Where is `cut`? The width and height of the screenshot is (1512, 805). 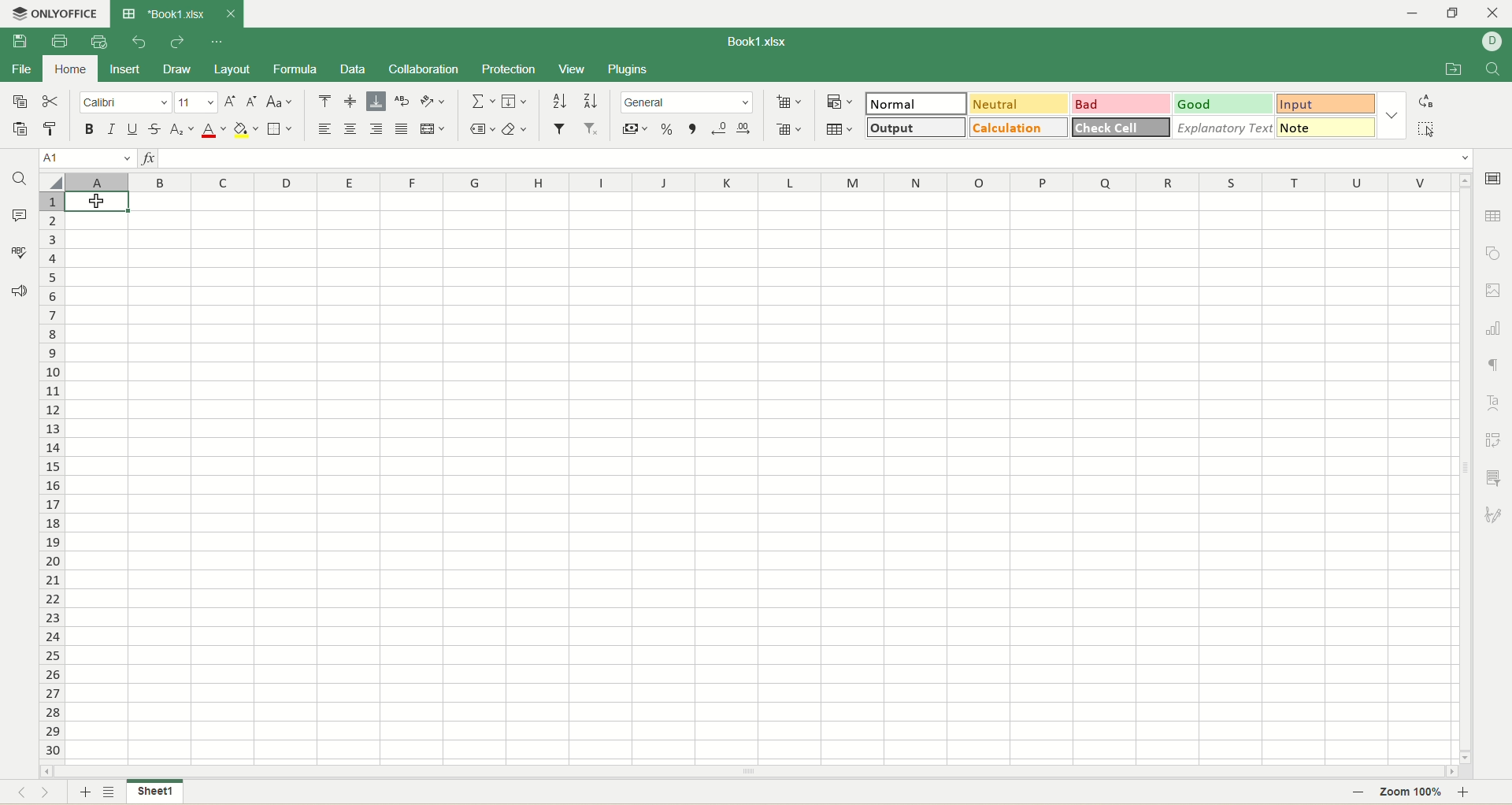
cut is located at coordinates (54, 101).